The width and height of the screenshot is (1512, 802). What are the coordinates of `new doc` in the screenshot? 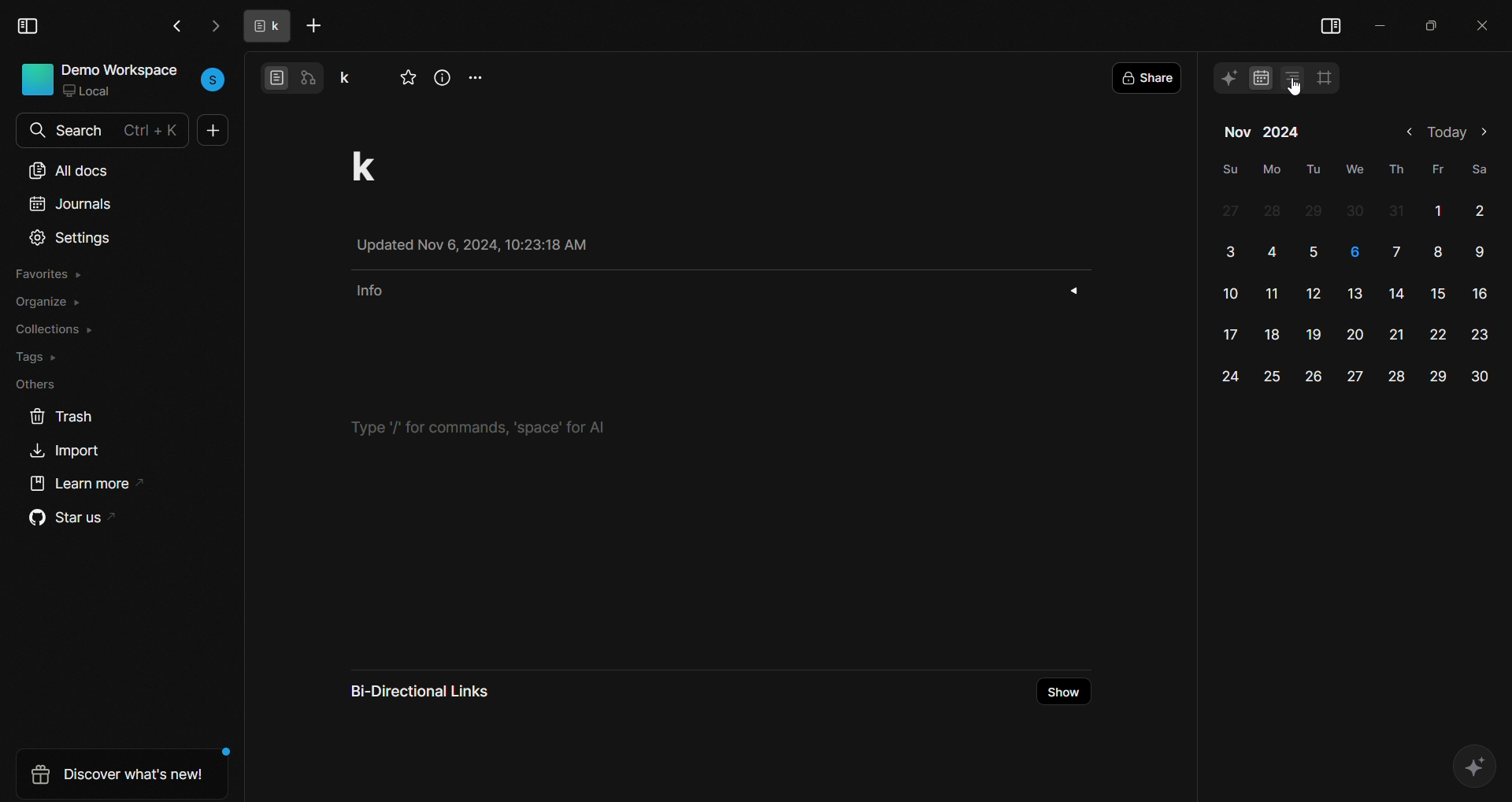 It's located at (214, 133).